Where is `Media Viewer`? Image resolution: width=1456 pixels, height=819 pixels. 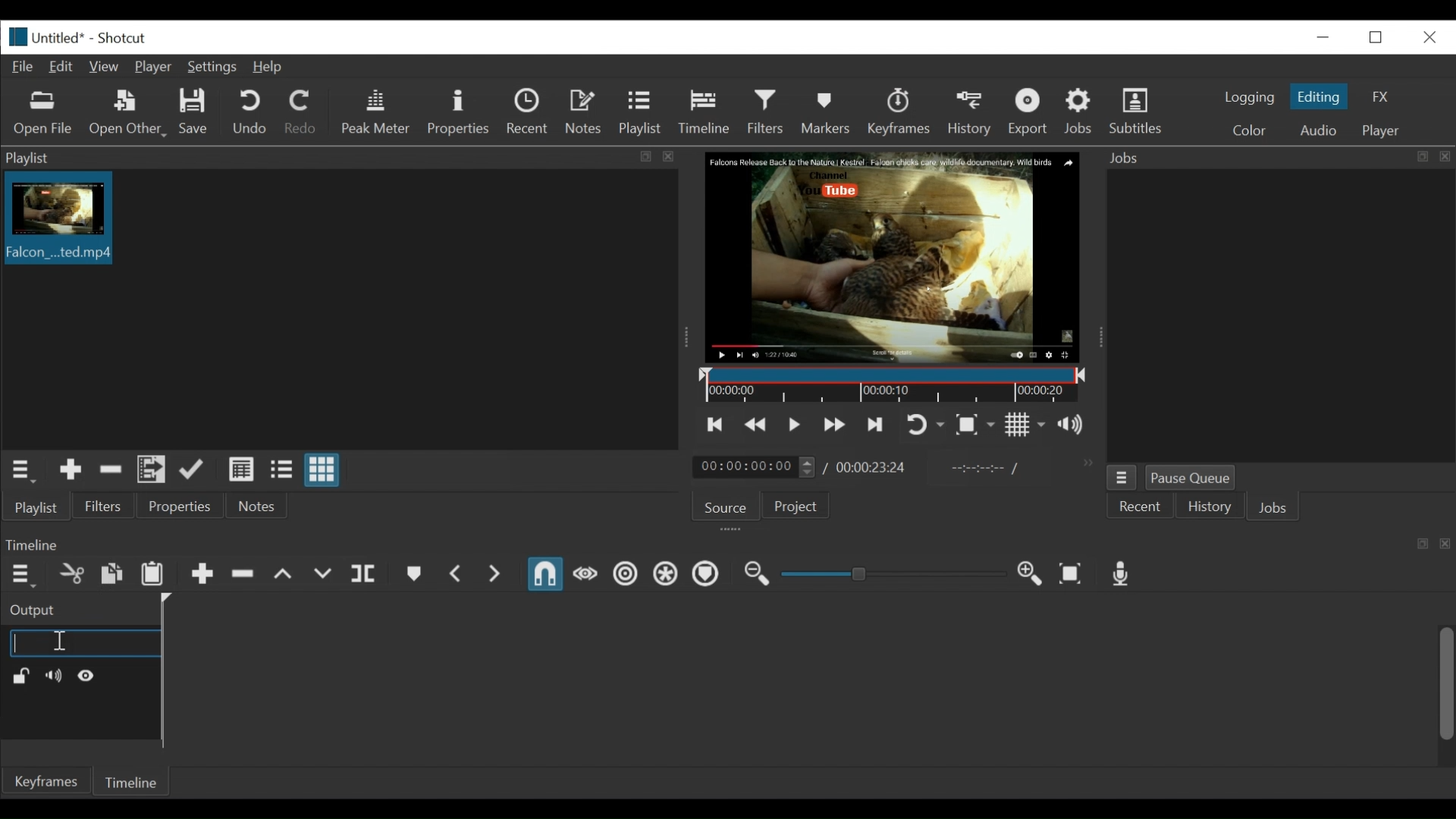
Media Viewer is located at coordinates (893, 259).